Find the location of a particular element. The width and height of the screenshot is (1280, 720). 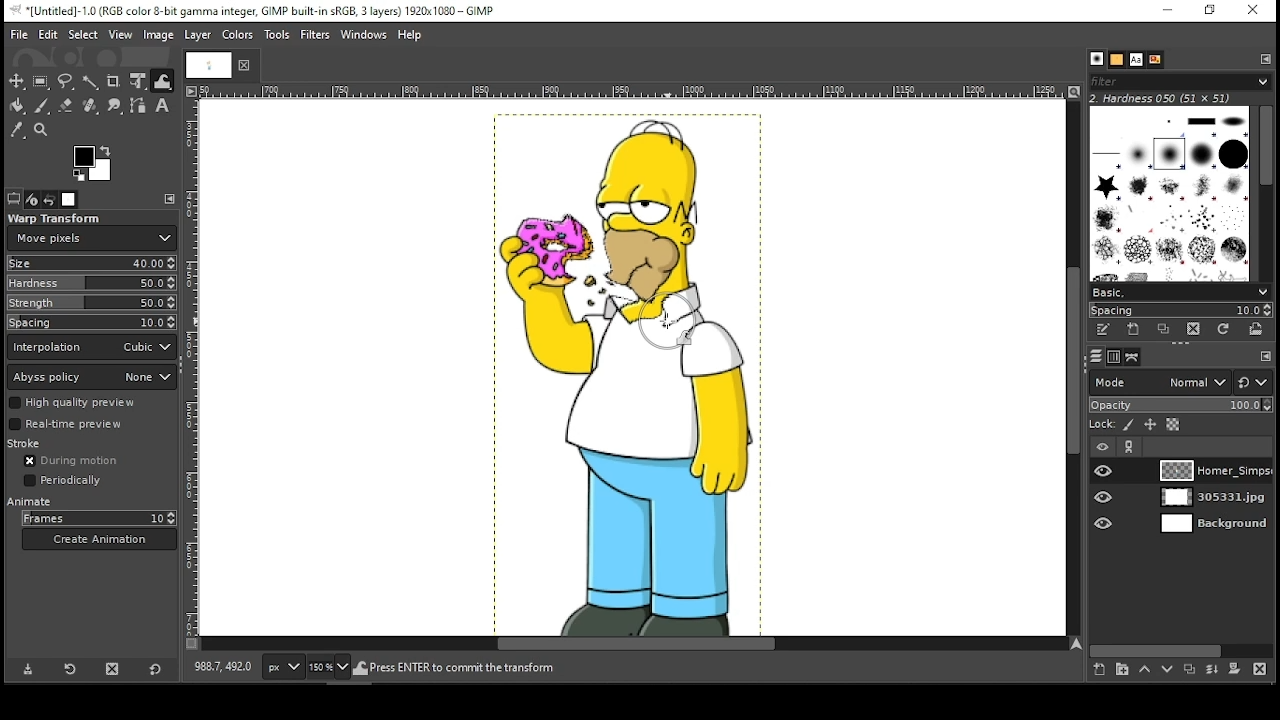

erase tool is located at coordinates (68, 103).